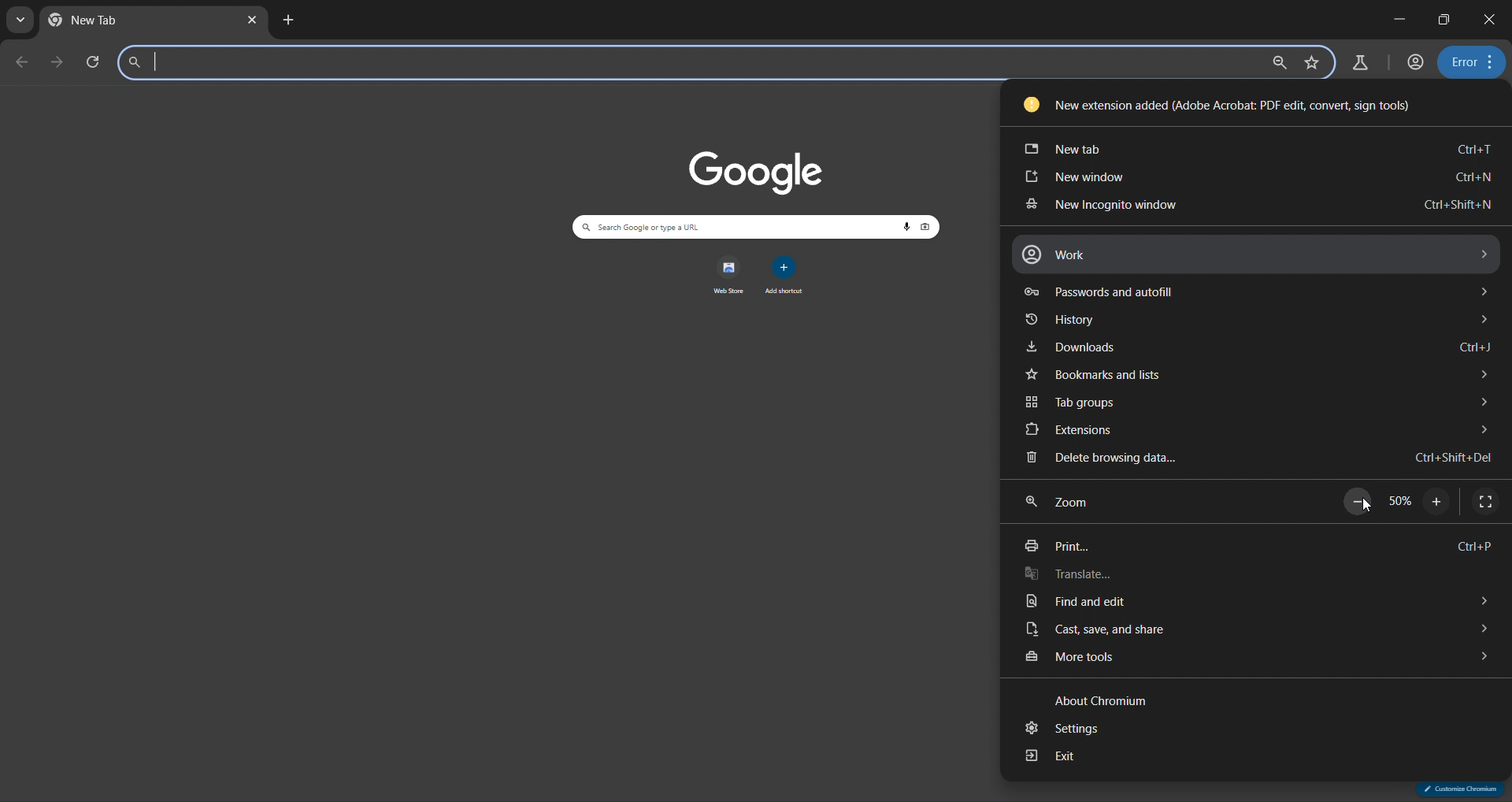  I want to click on extensions, so click(1255, 429).